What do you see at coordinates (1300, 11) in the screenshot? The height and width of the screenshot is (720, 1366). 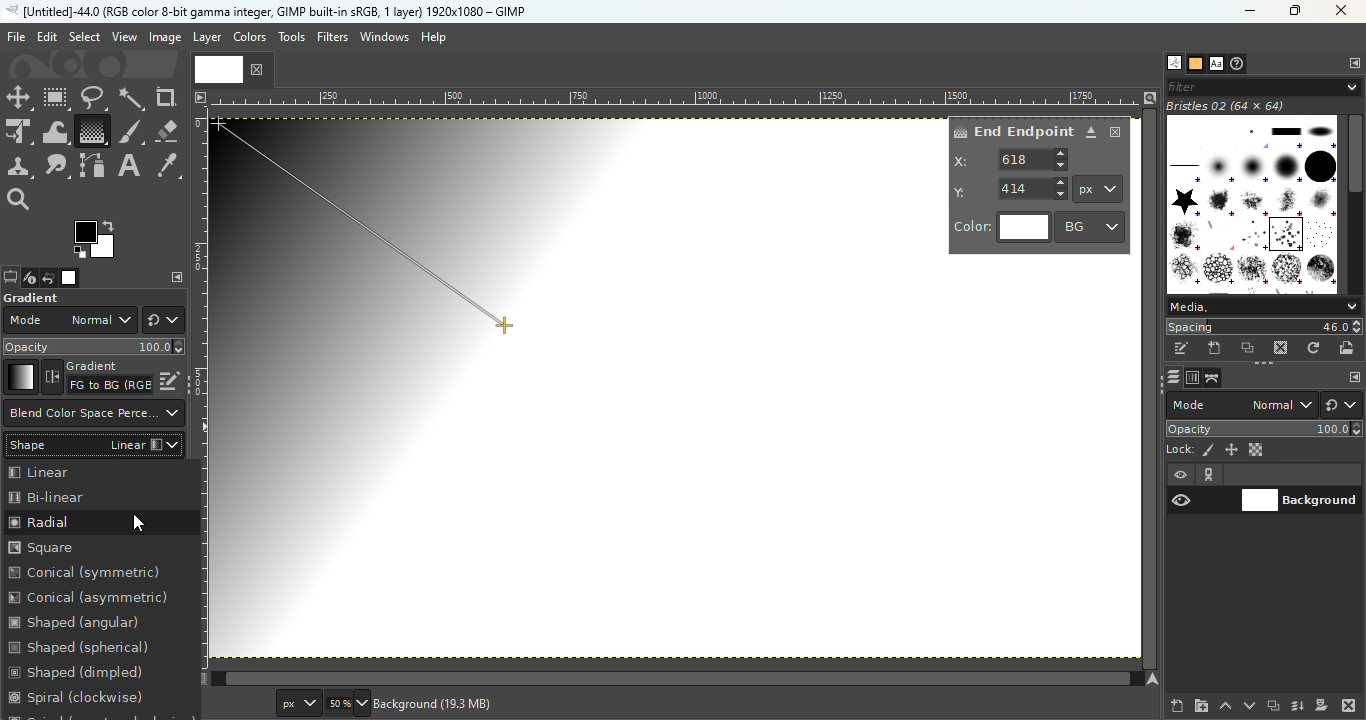 I see `Maximize` at bounding box center [1300, 11].